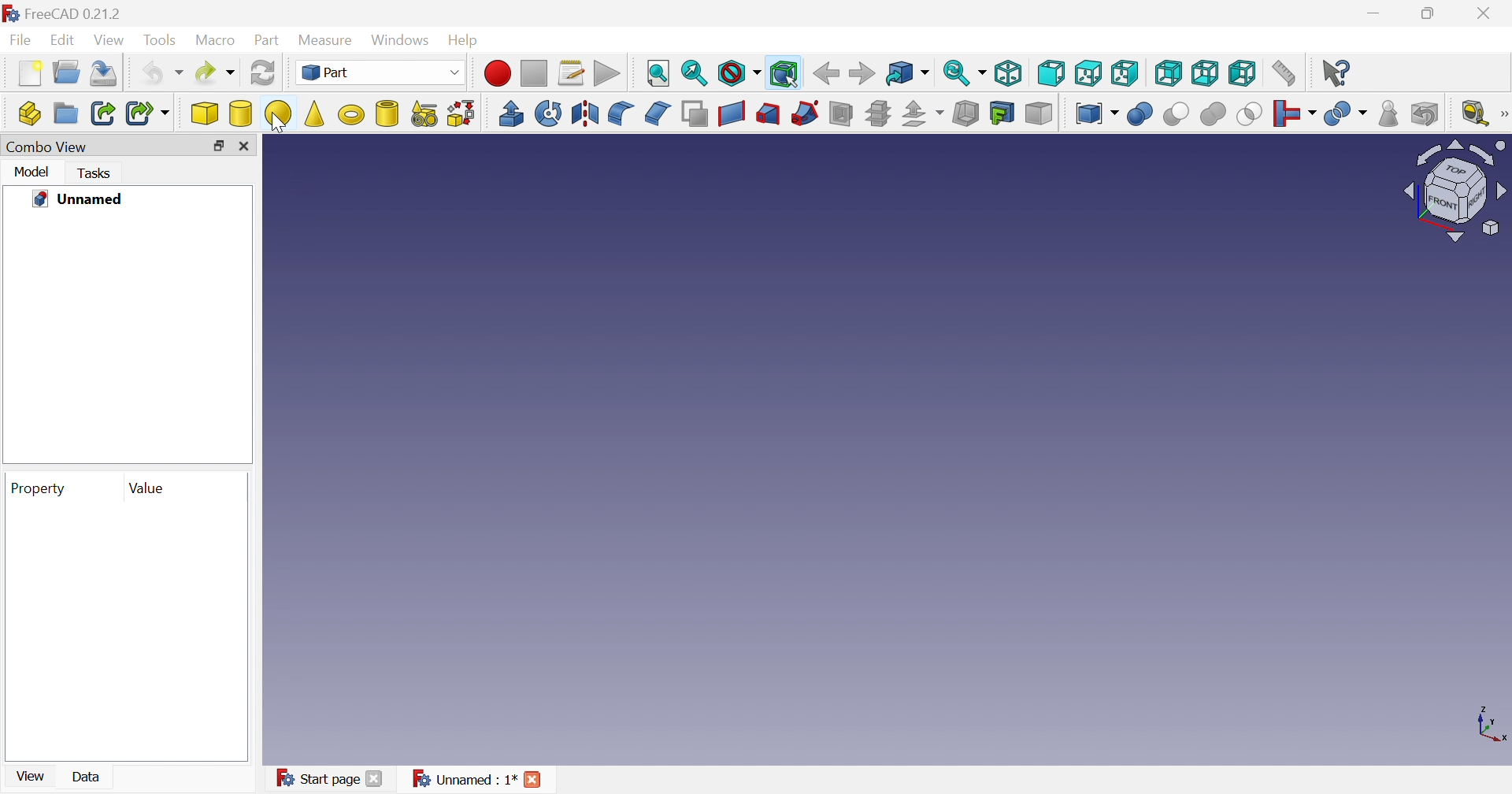  What do you see at coordinates (106, 74) in the screenshot?
I see `Save` at bounding box center [106, 74].